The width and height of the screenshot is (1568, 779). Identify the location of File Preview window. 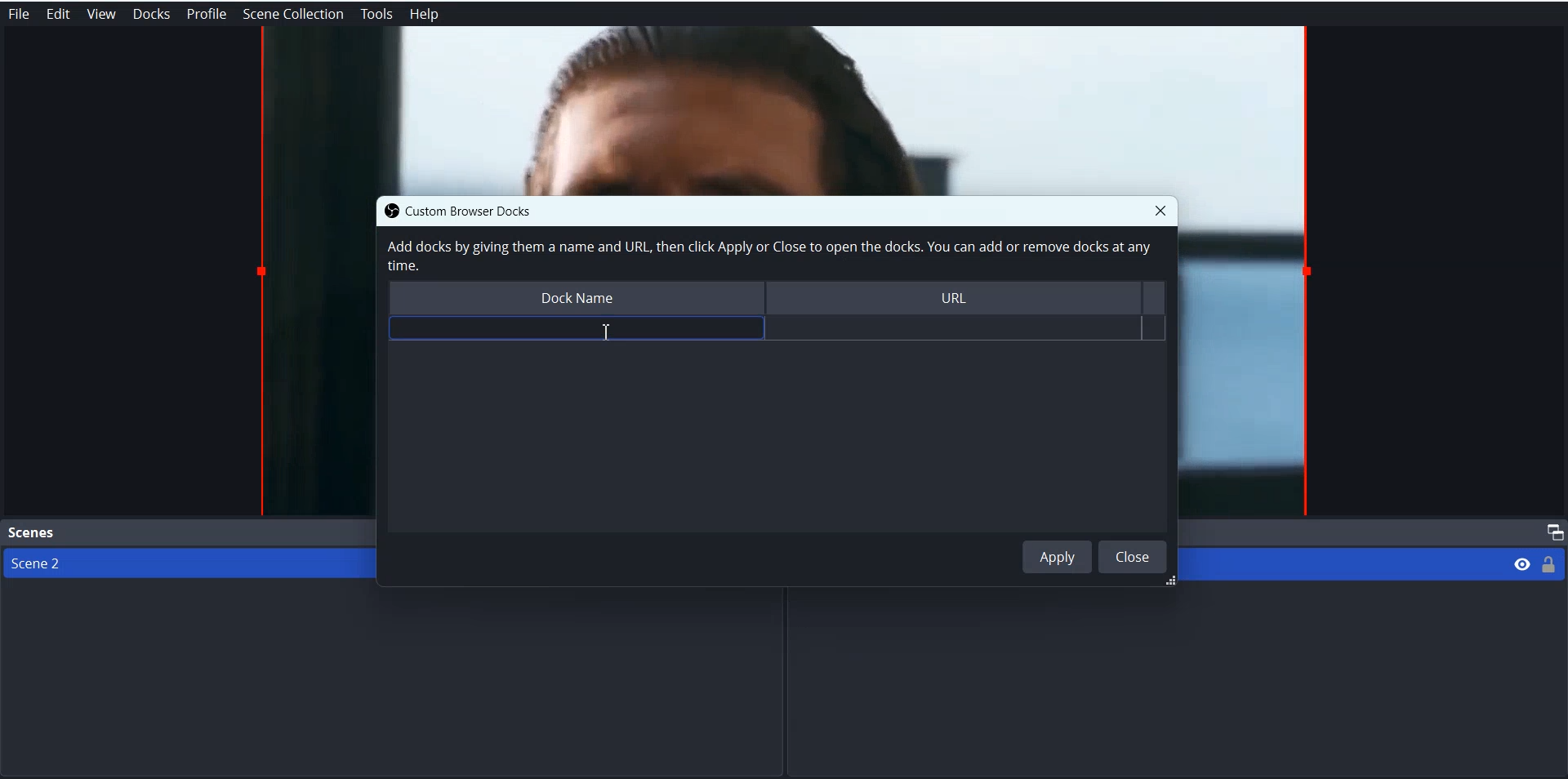
(784, 109).